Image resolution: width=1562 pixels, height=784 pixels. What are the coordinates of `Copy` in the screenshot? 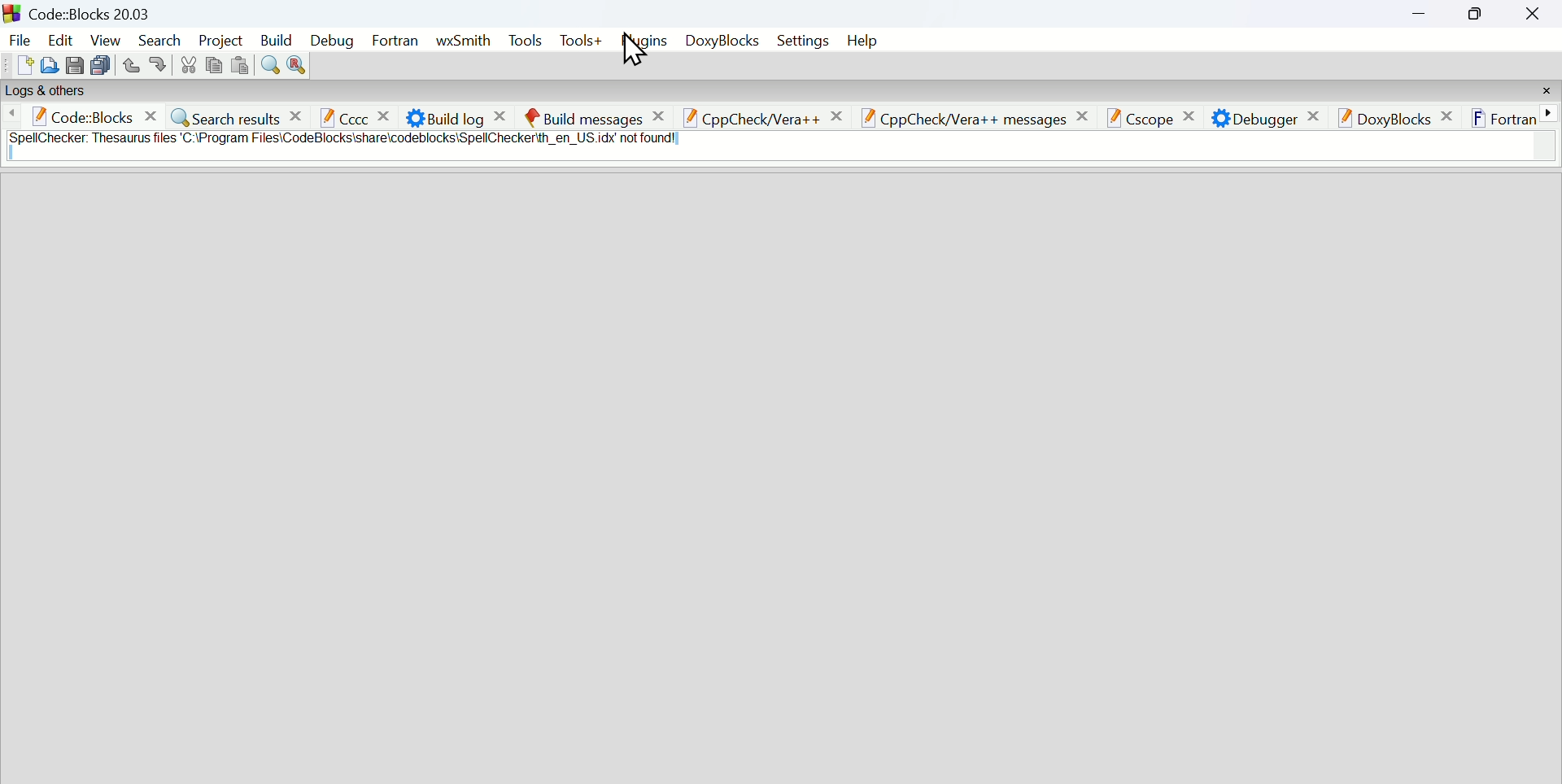 It's located at (214, 63).